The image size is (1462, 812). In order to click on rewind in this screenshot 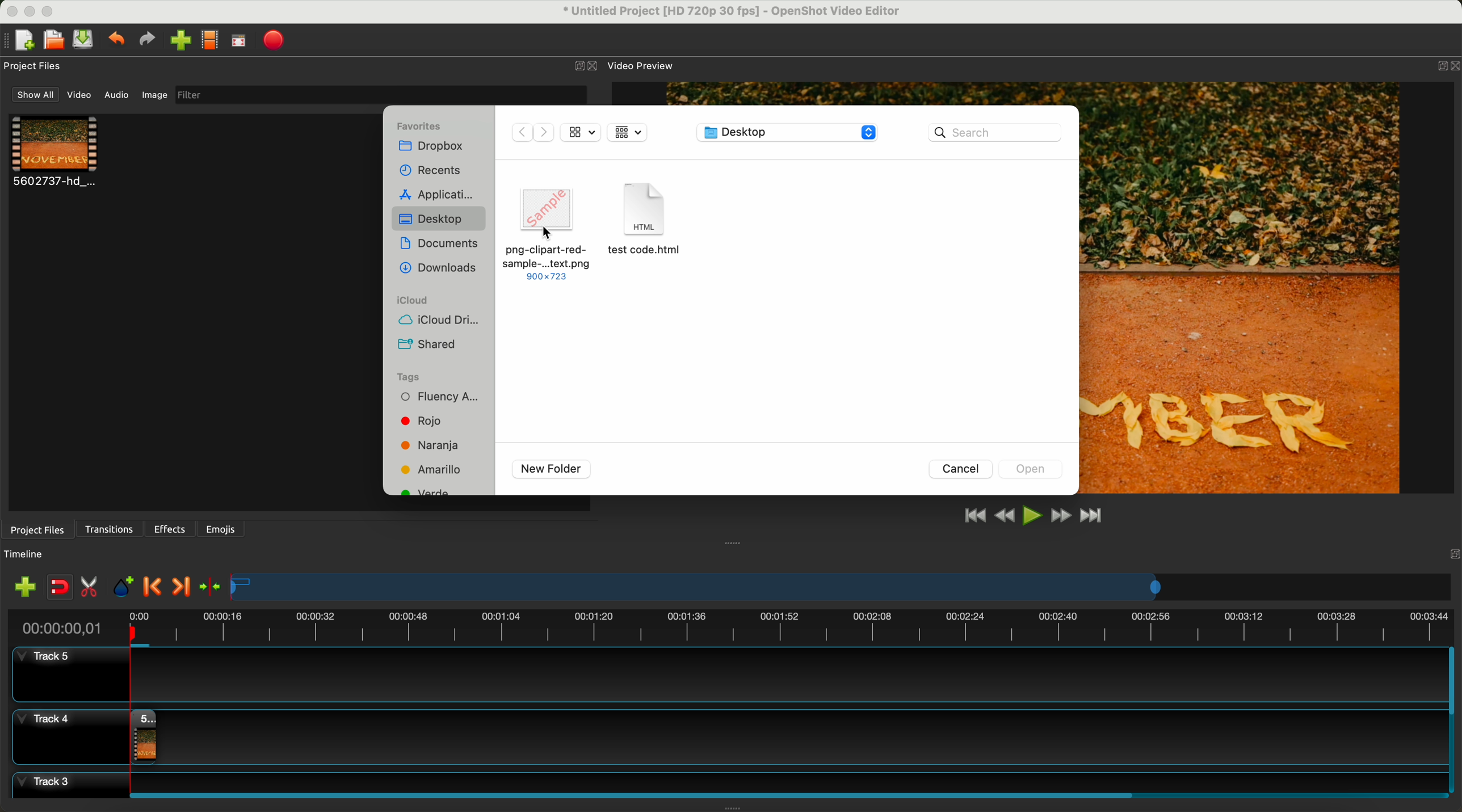, I will do `click(1003, 517)`.